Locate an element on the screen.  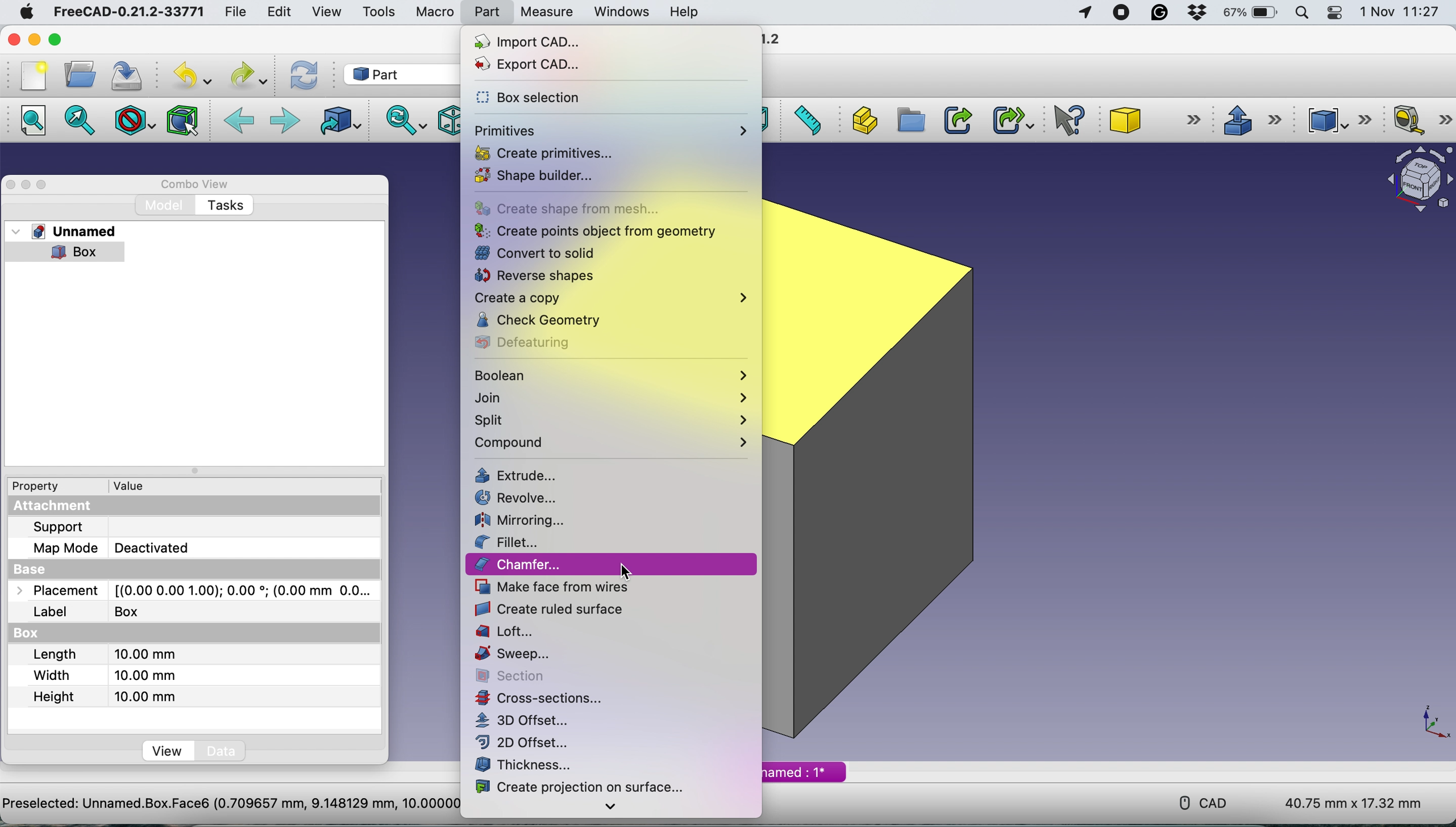
save is located at coordinates (133, 78).